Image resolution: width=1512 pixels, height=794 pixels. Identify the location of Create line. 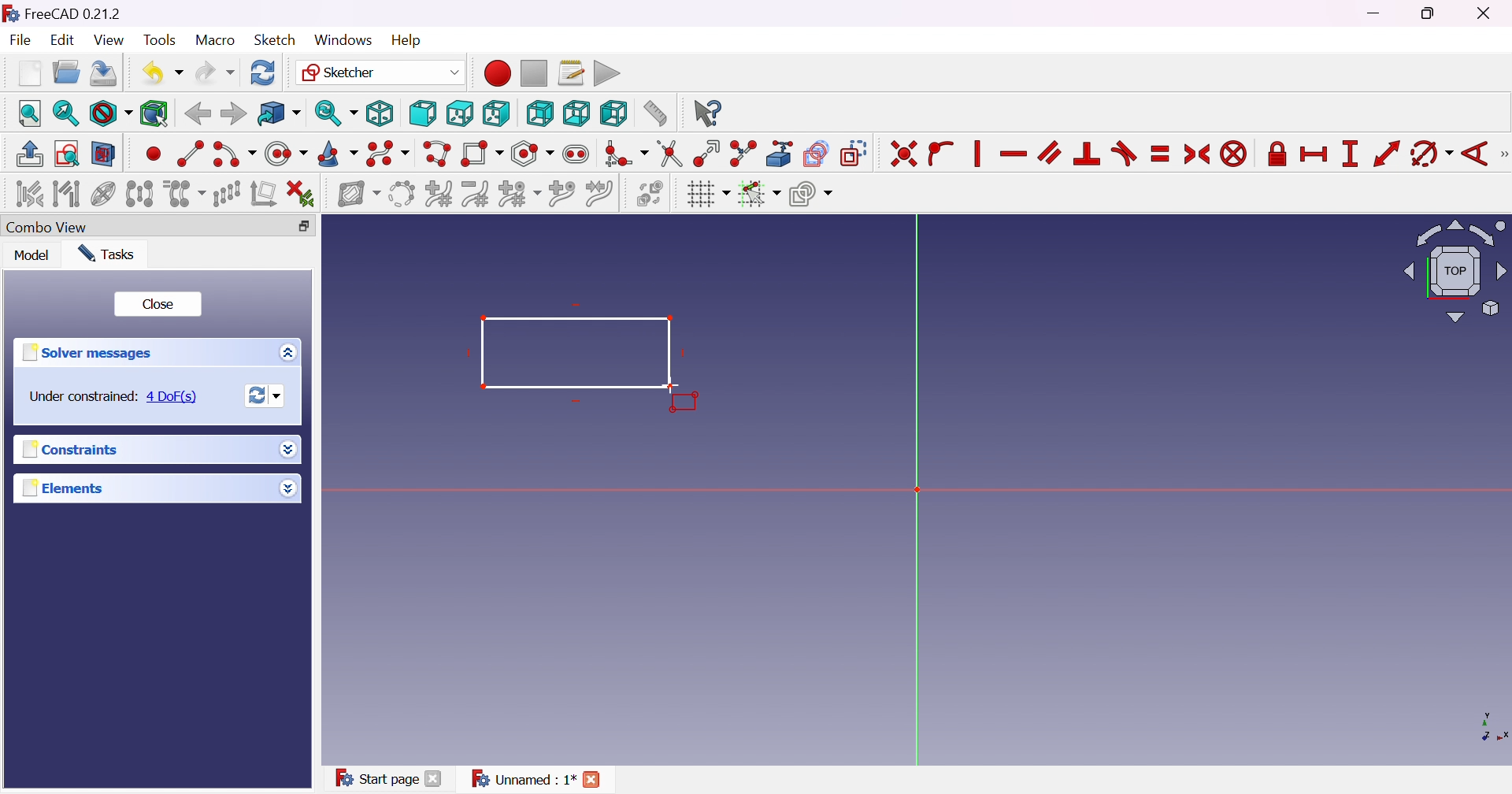
(189, 152).